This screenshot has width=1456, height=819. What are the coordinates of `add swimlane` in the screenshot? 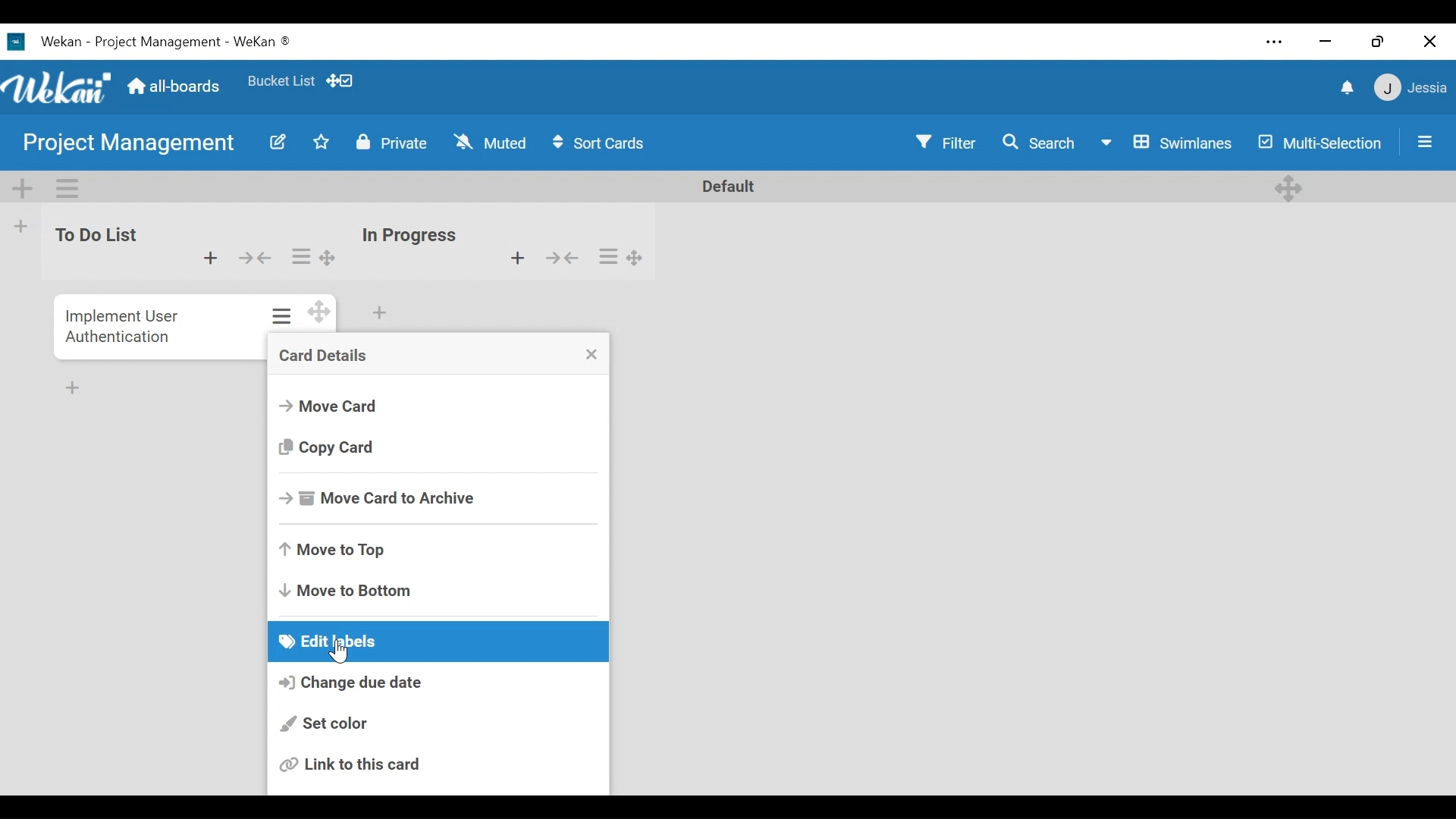 It's located at (24, 190).